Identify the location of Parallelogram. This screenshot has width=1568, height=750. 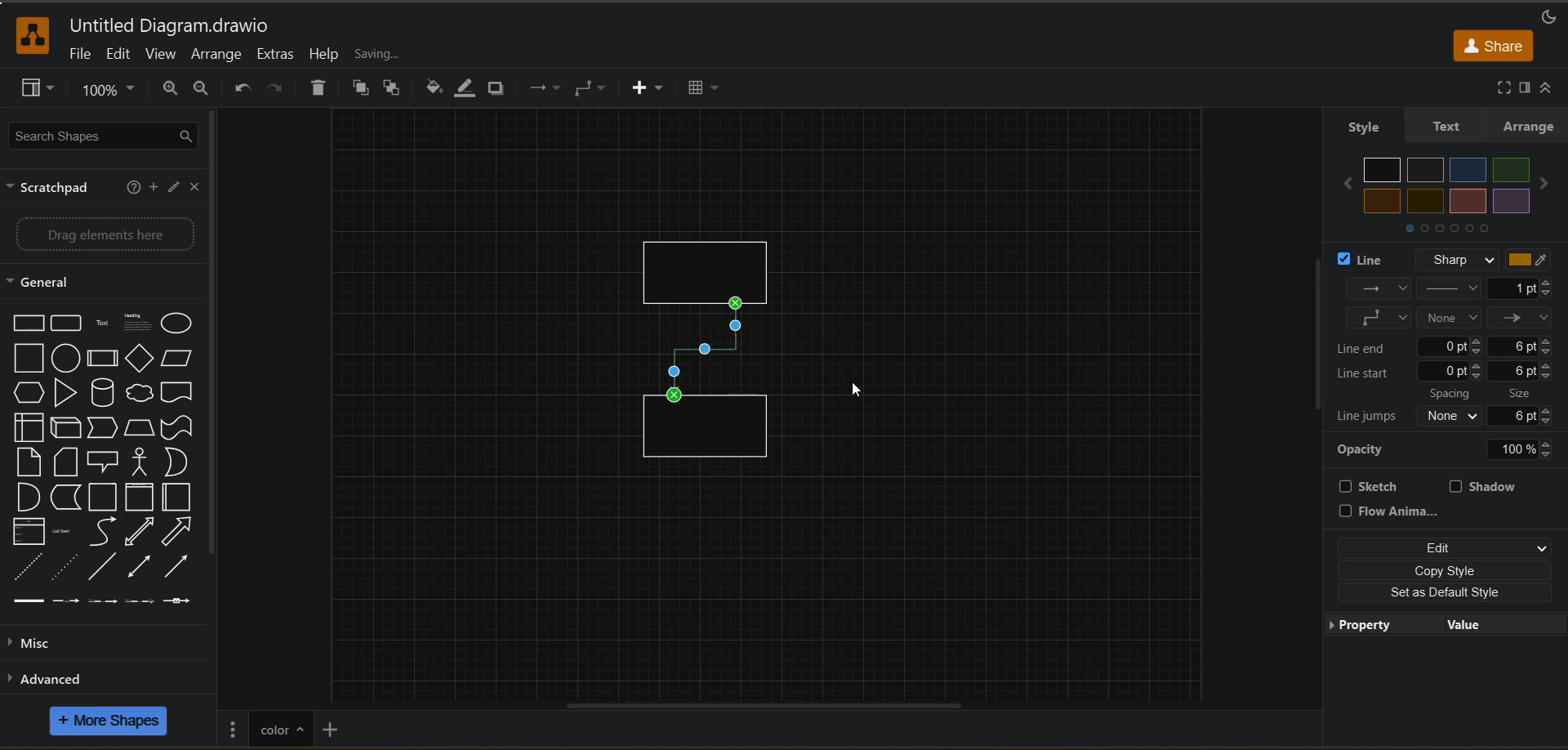
(180, 359).